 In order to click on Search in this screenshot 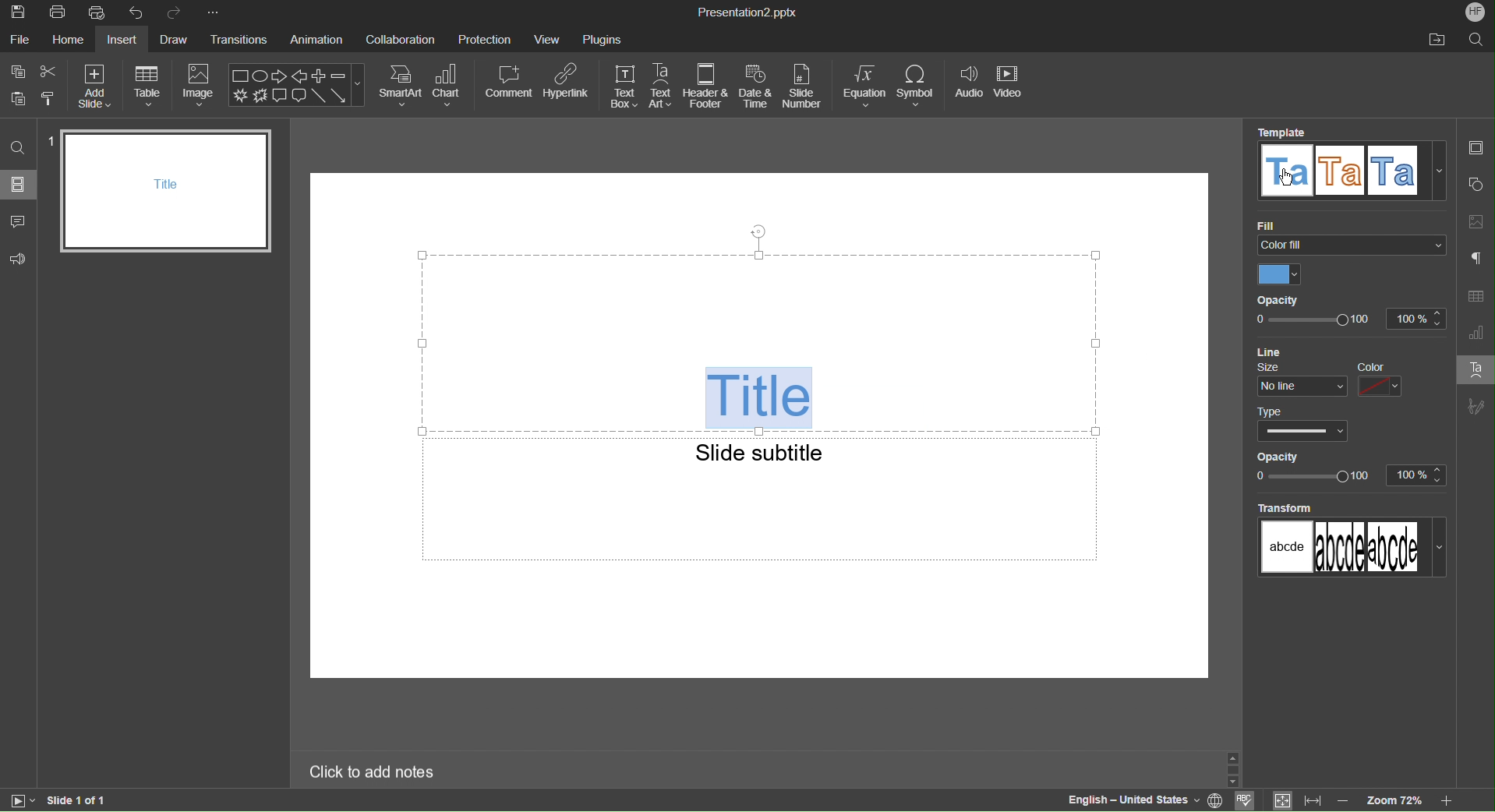, I will do `click(1476, 41)`.